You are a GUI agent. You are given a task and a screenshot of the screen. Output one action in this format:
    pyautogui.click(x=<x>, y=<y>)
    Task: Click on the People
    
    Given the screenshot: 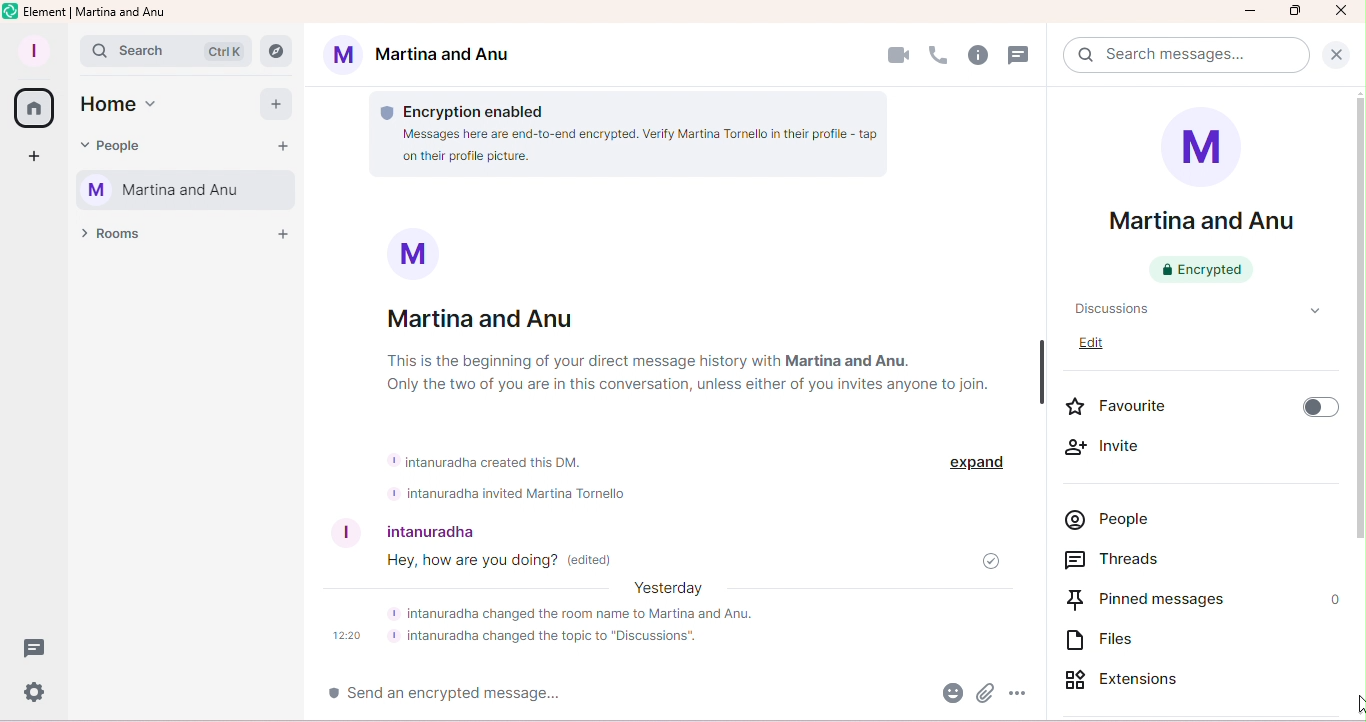 What is the action you would take?
    pyautogui.click(x=116, y=147)
    